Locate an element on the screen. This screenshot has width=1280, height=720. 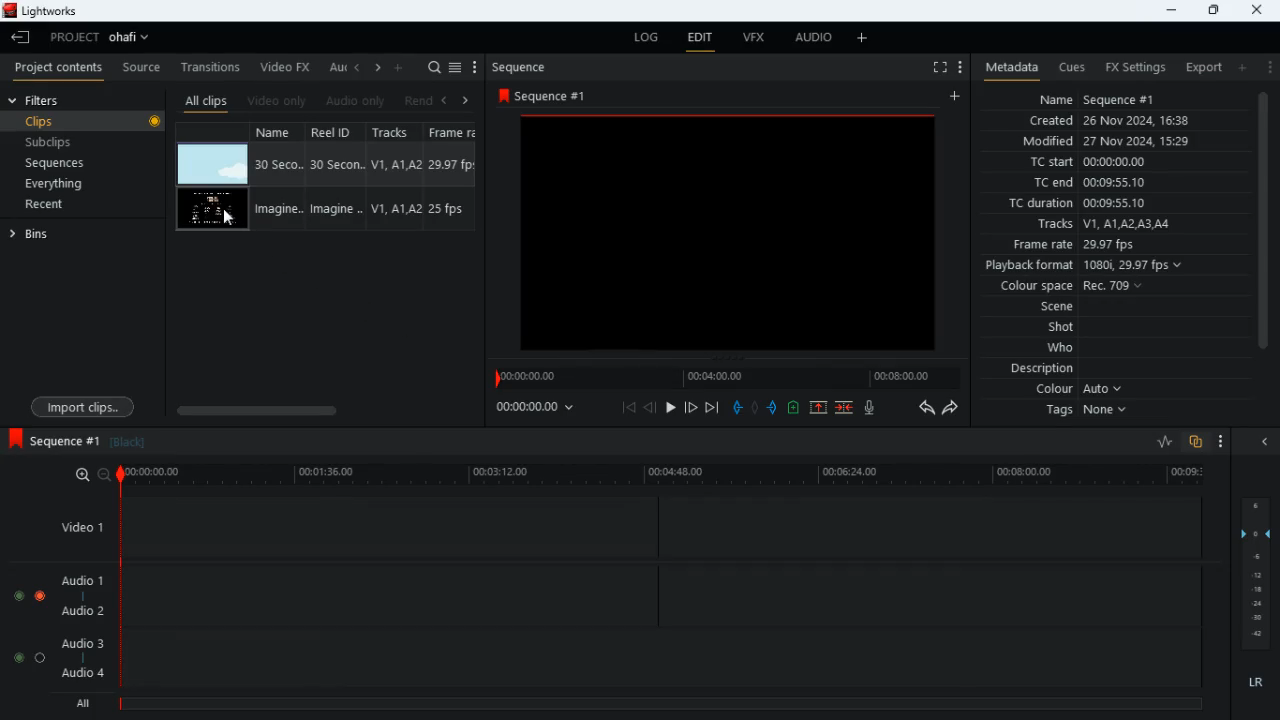
sequences is located at coordinates (57, 163).